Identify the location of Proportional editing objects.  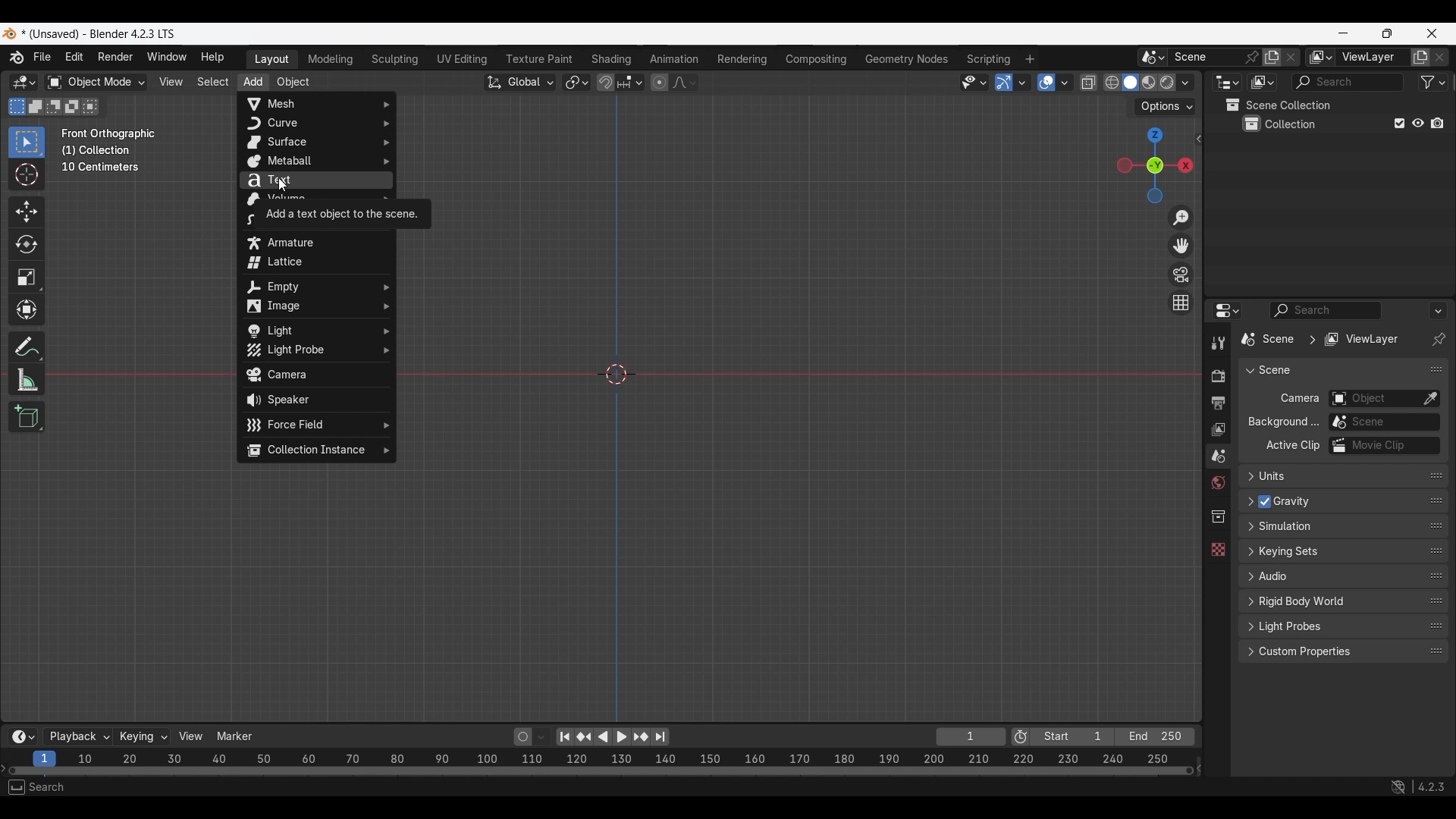
(659, 82).